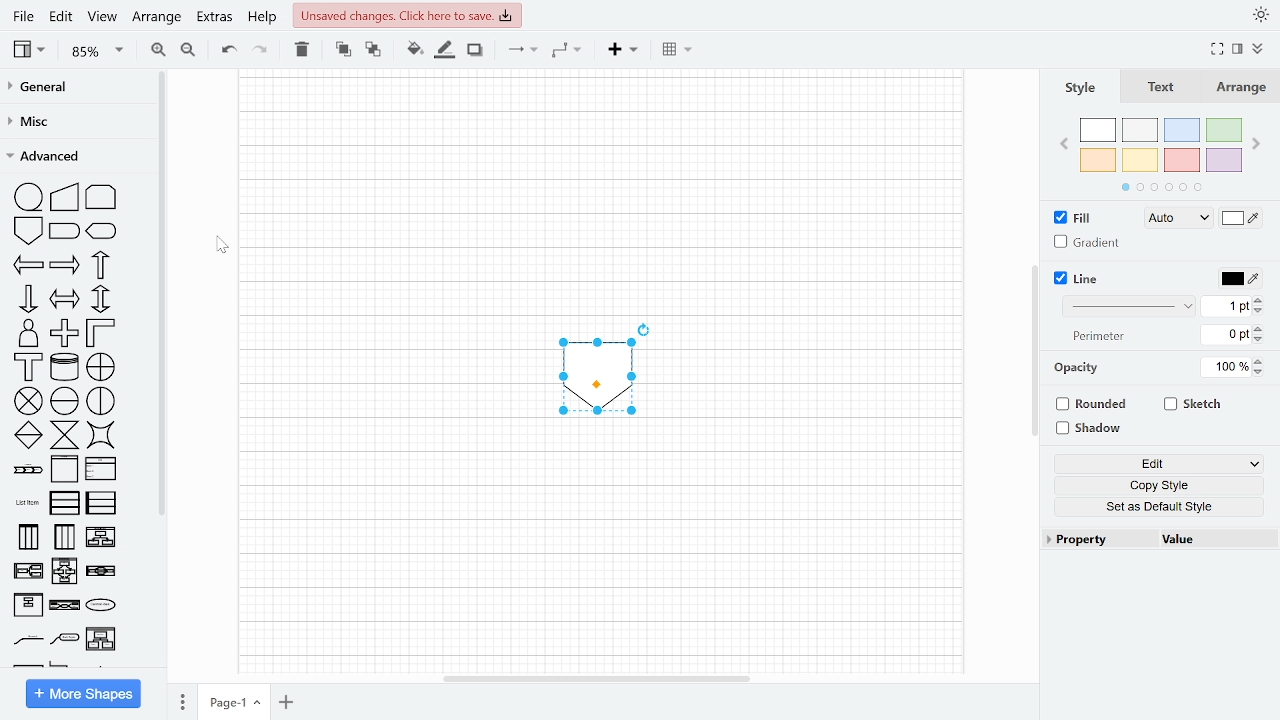 This screenshot has height=720, width=1280. I want to click on Edit, so click(62, 17).